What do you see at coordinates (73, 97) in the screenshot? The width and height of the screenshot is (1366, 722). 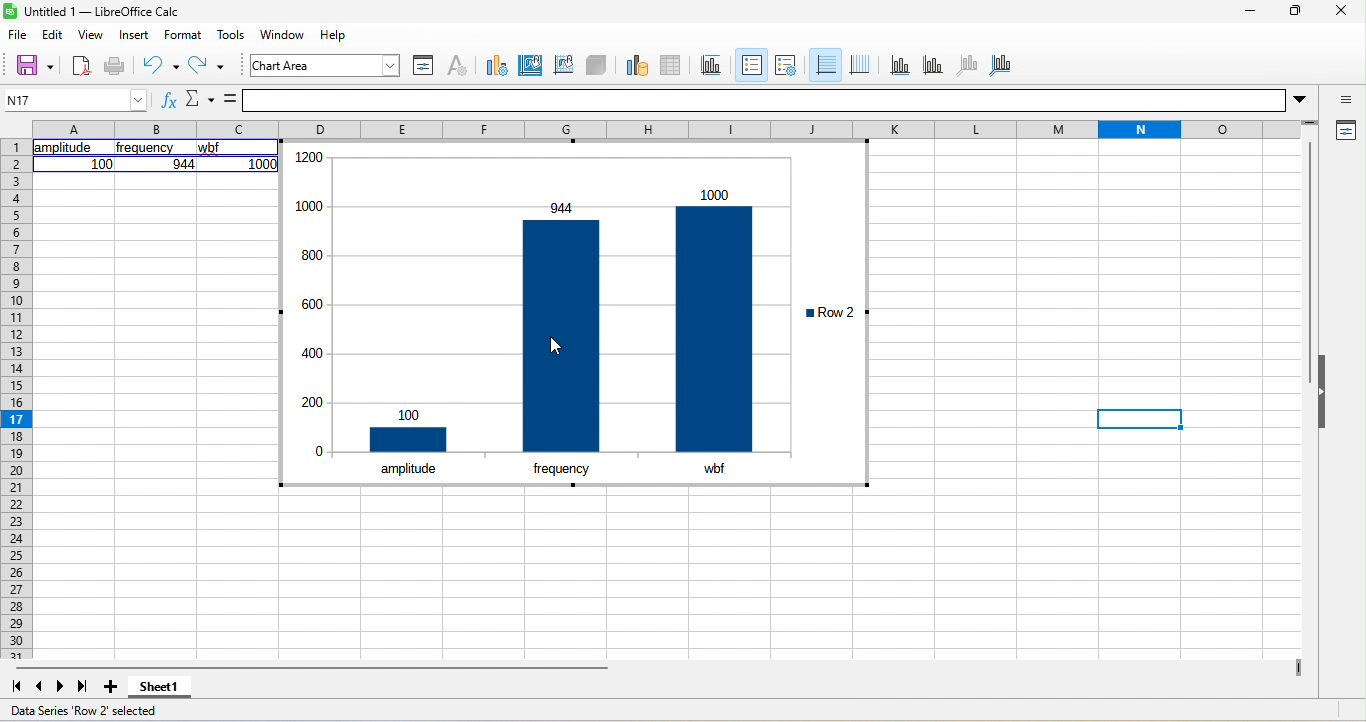 I see `N17` at bounding box center [73, 97].